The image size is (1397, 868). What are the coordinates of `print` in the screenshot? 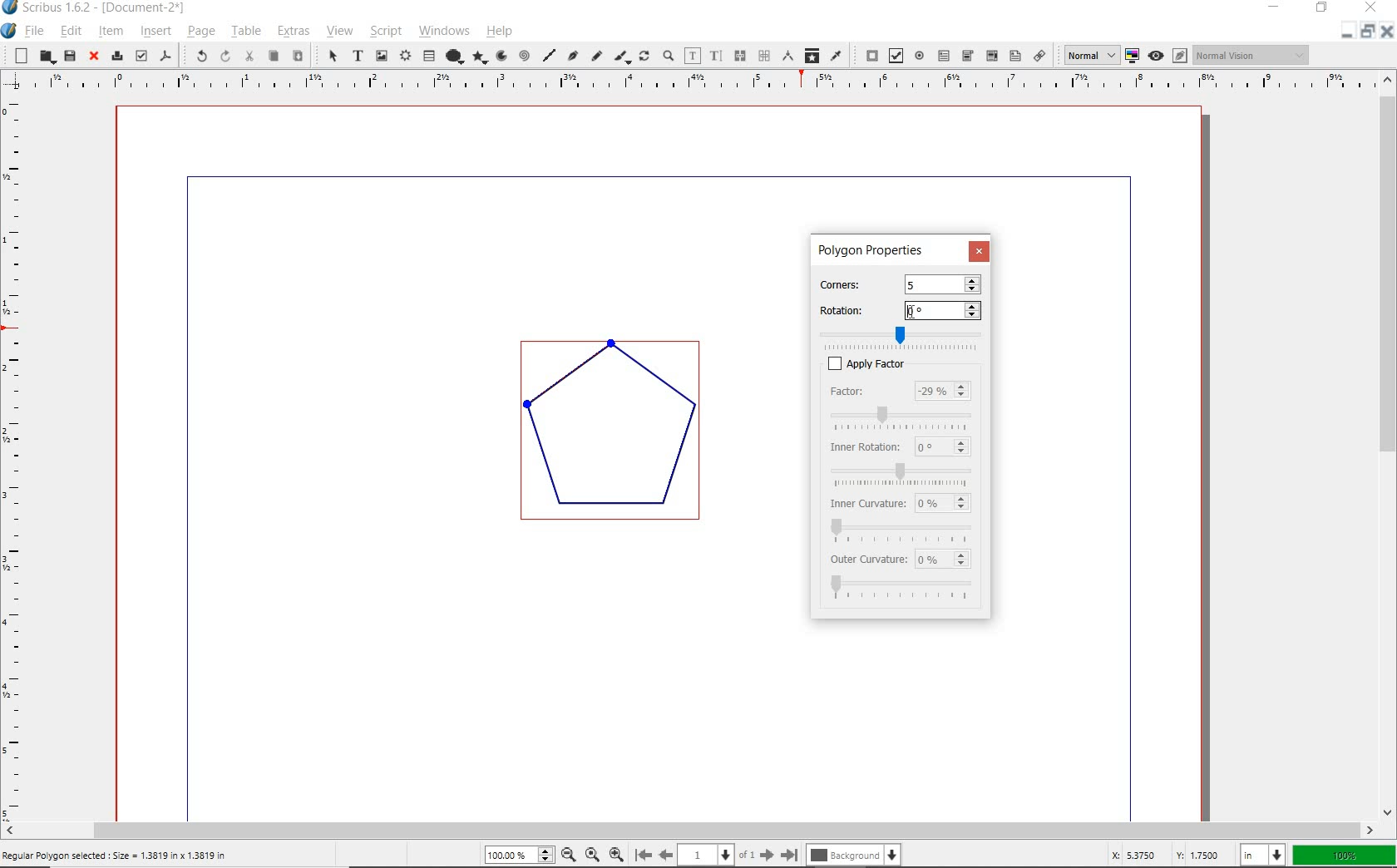 It's located at (116, 56).